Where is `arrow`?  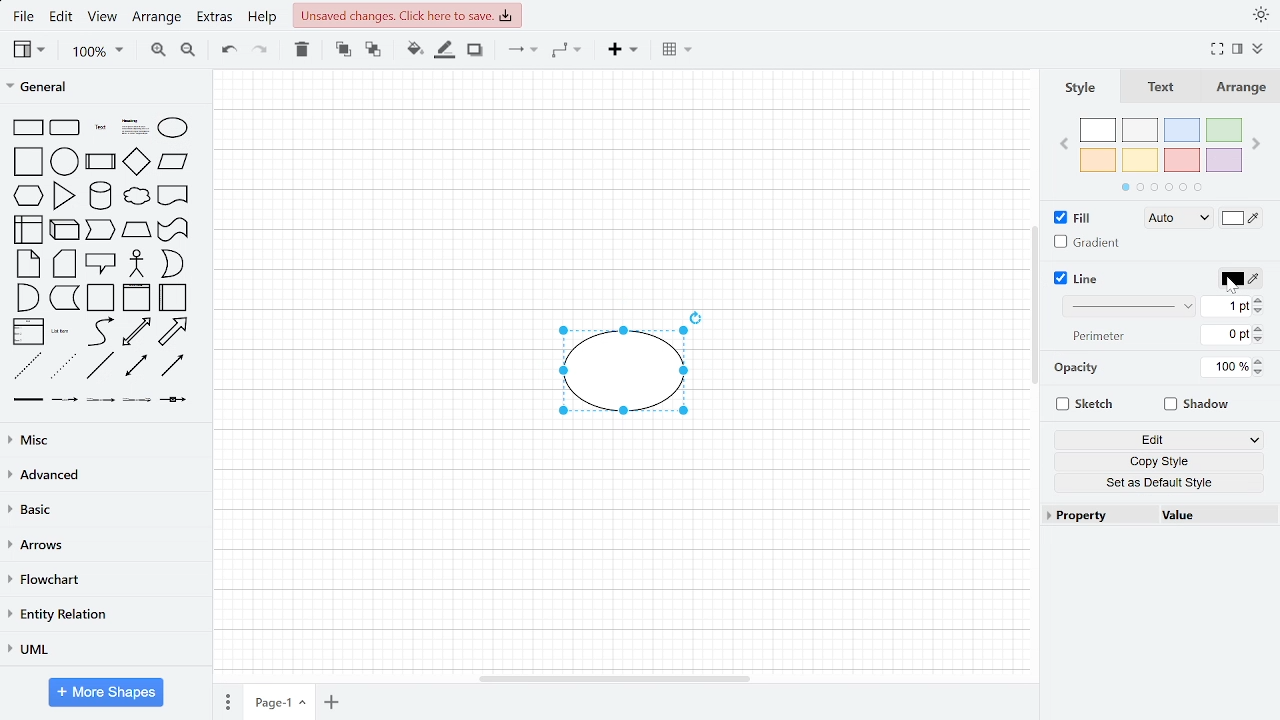
arrow is located at coordinates (175, 333).